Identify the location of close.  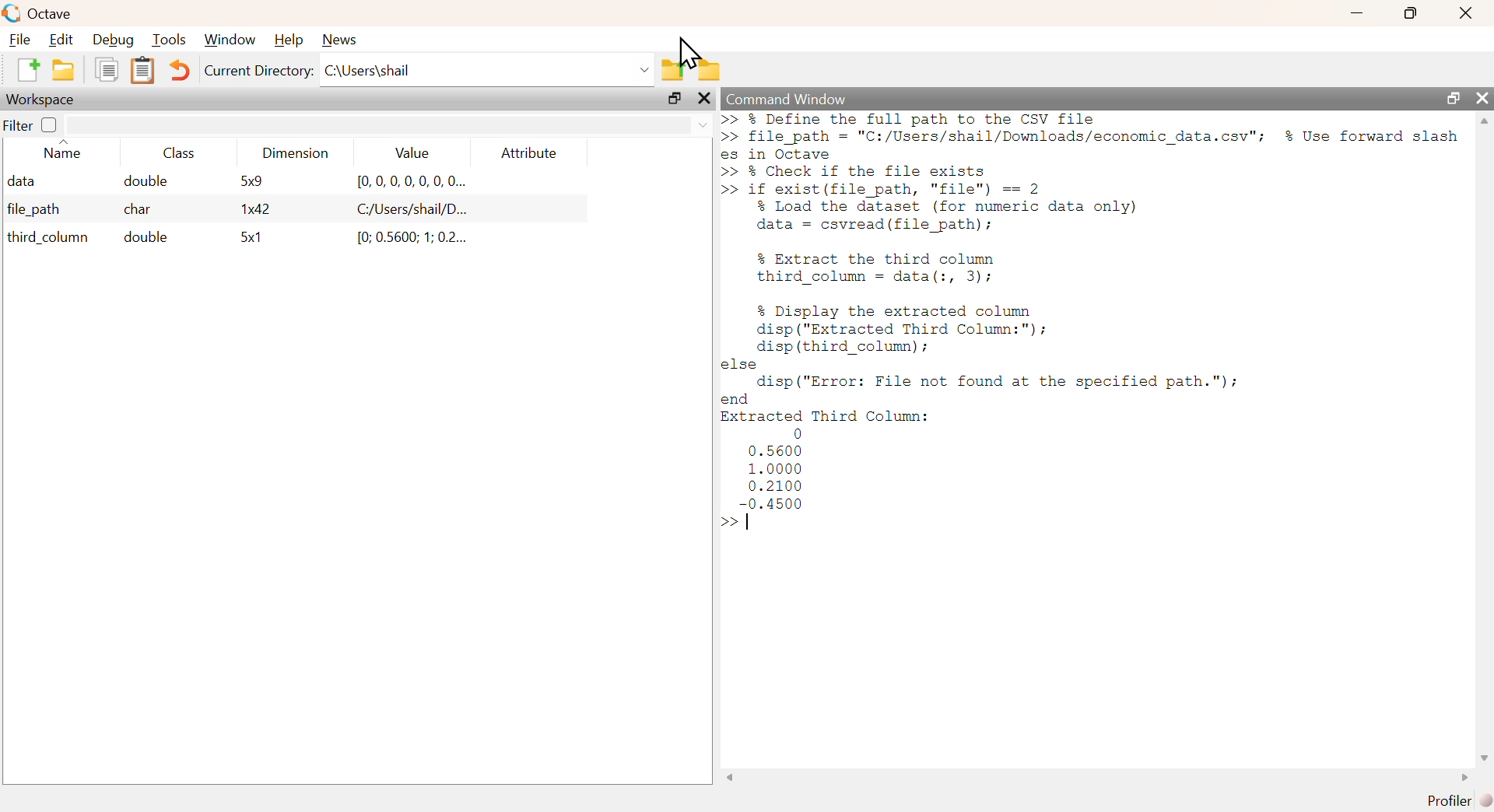
(1485, 97).